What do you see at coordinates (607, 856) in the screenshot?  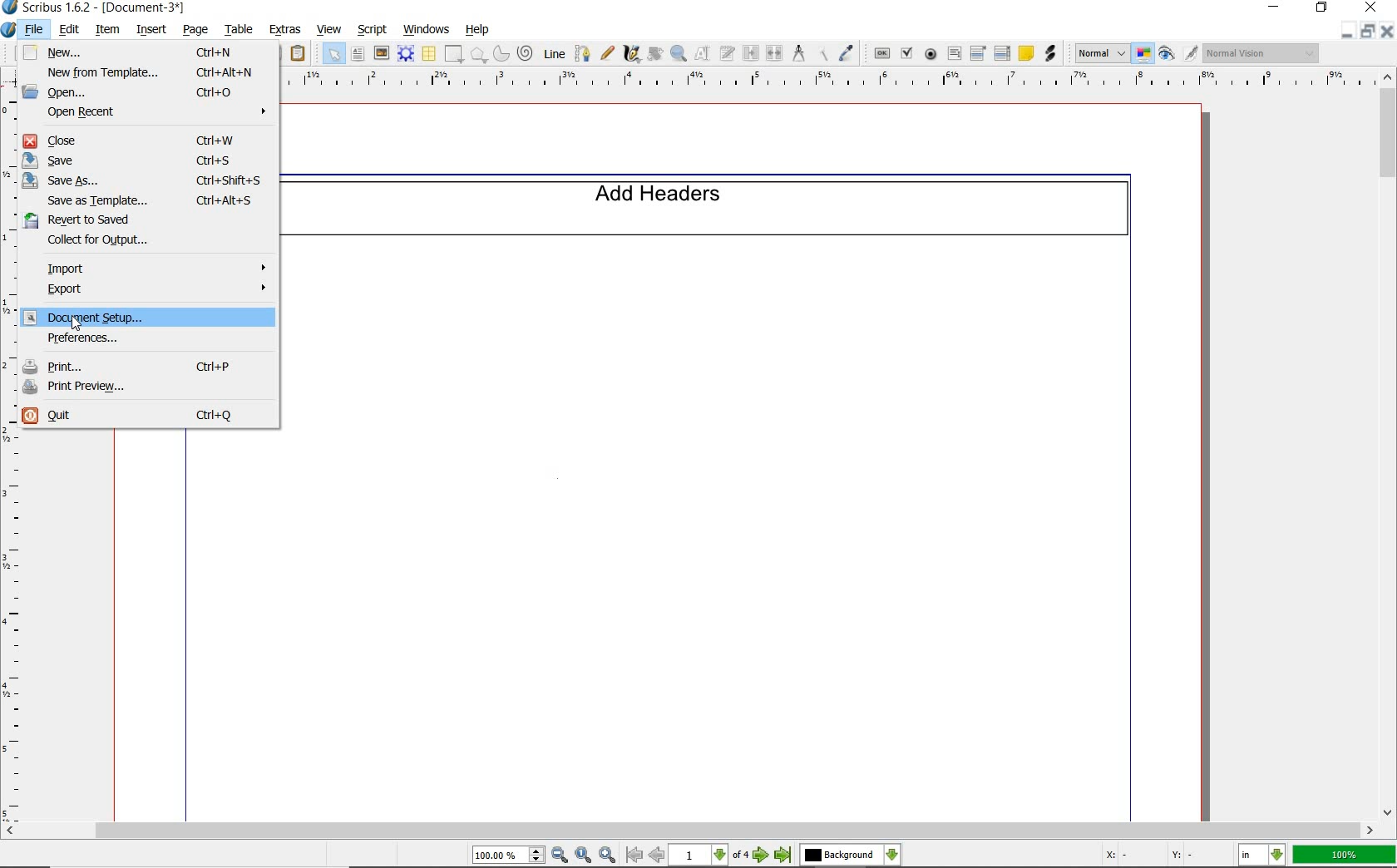 I see `zoom in` at bounding box center [607, 856].